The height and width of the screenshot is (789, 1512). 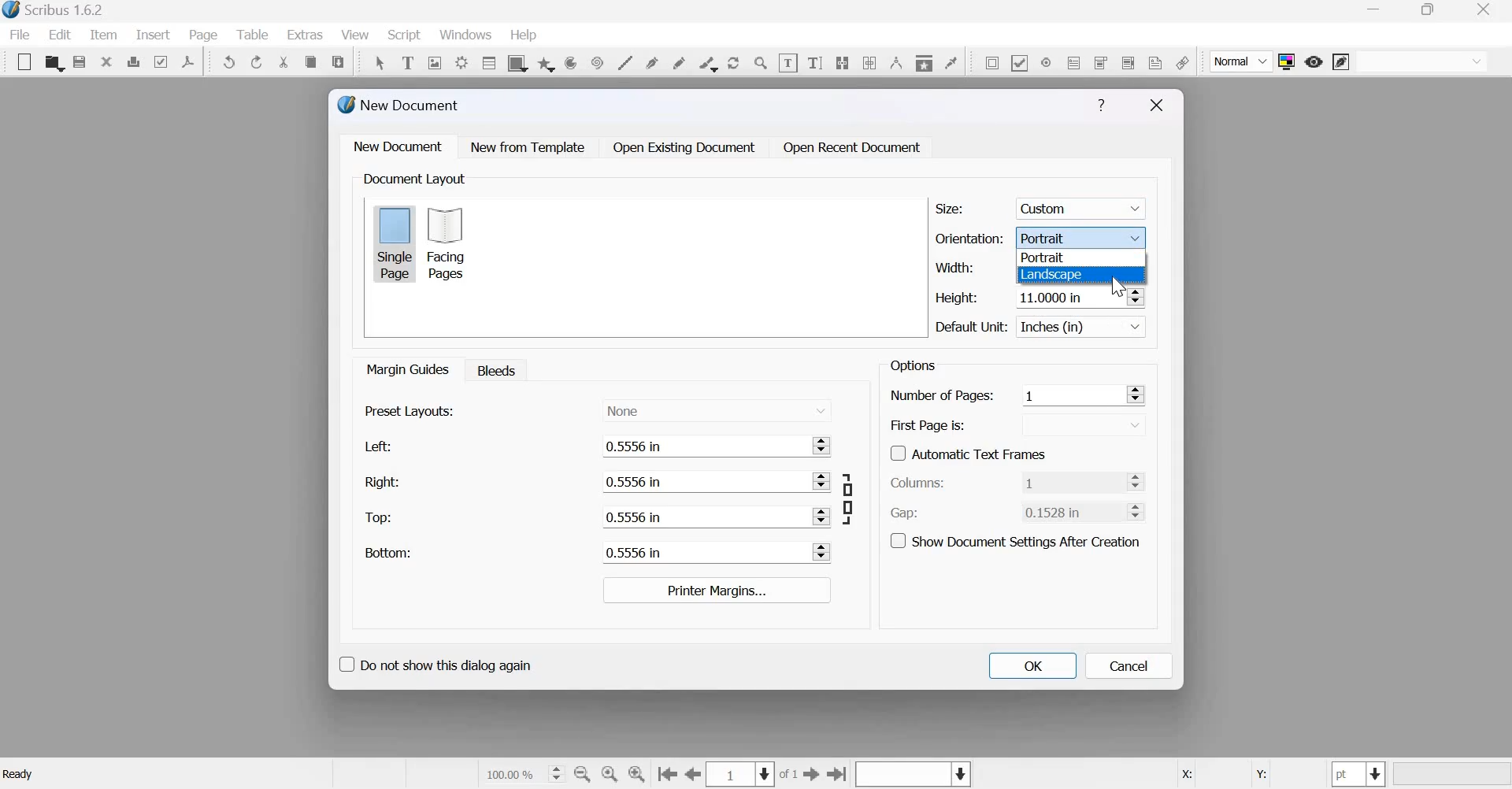 What do you see at coordinates (694, 774) in the screenshot?
I see `go to the previous page` at bounding box center [694, 774].